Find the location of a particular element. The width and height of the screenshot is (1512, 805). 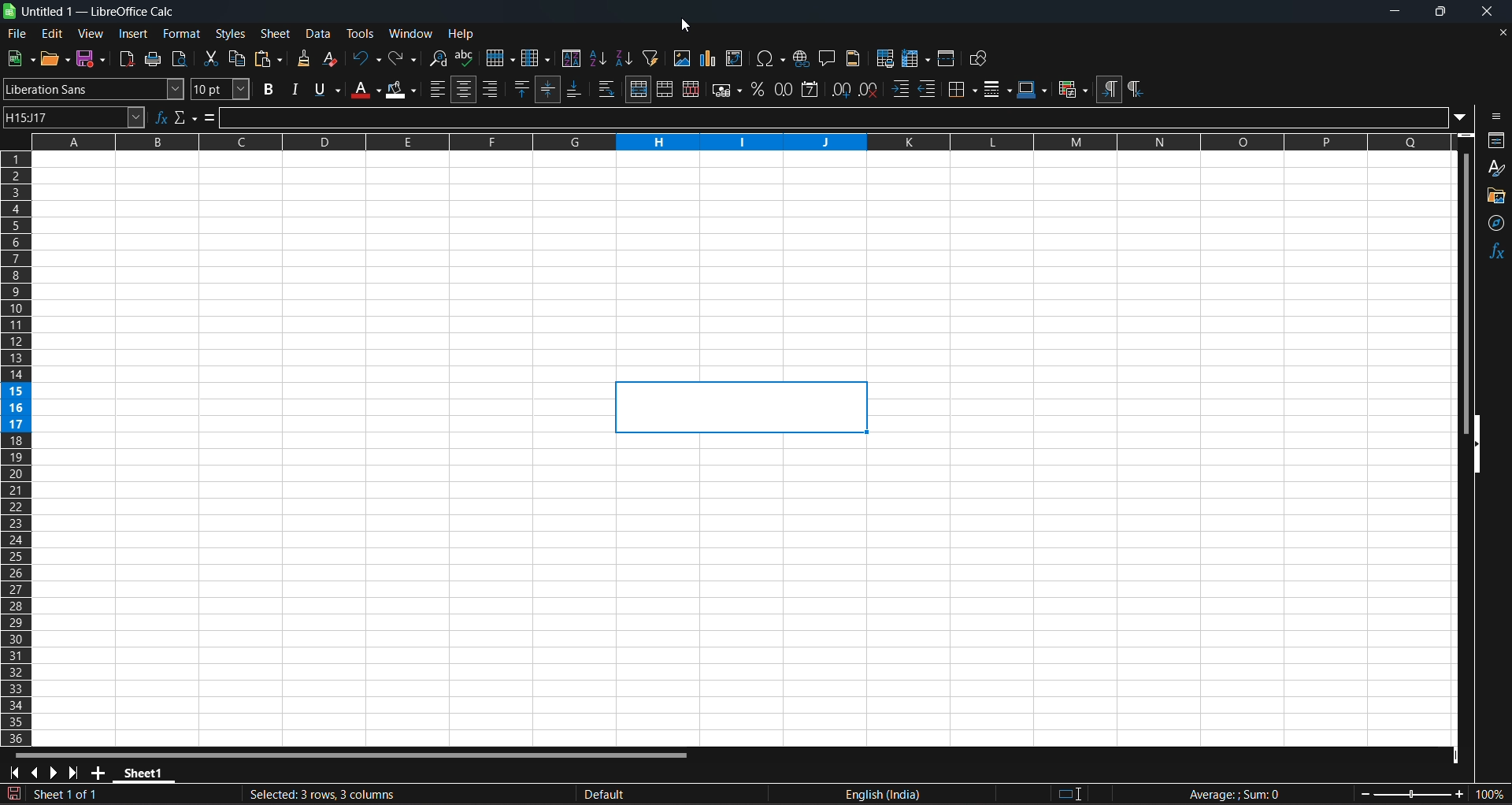

paste is located at coordinates (270, 57).